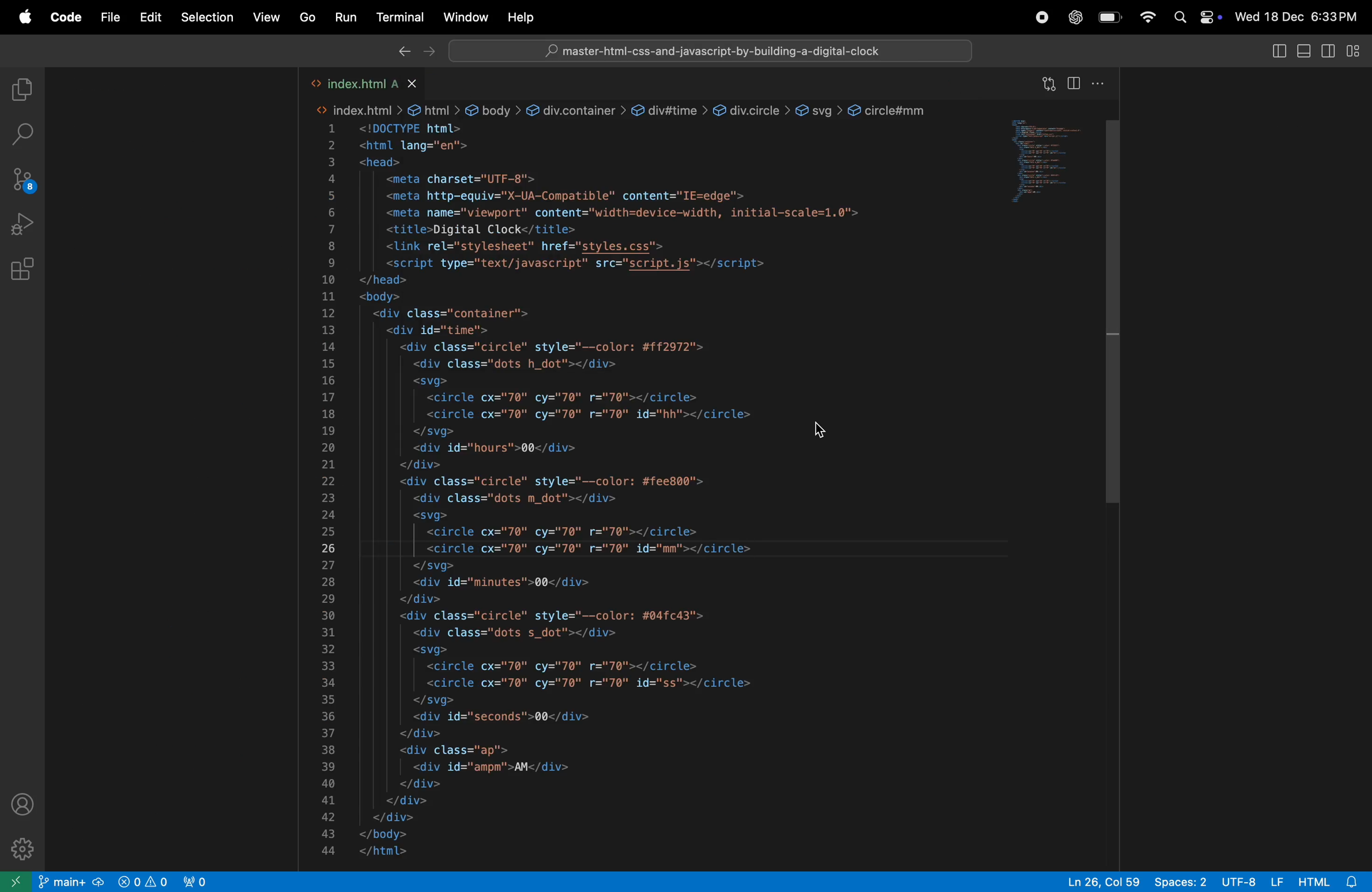 The image size is (1372, 892). I want to click on terminal, so click(397, 18).